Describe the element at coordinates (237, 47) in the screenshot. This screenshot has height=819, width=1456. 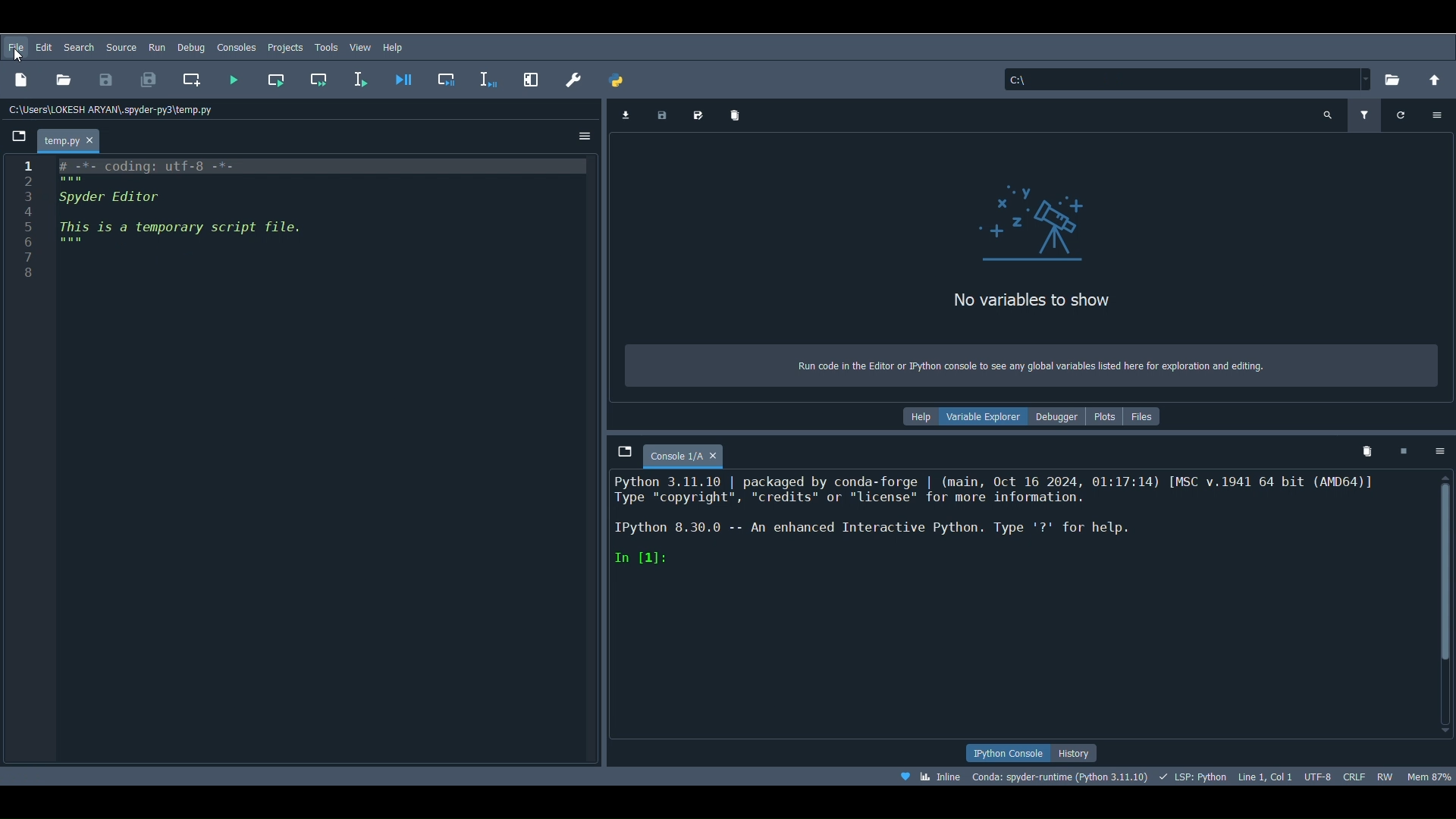
I see `Consoles` at that location.